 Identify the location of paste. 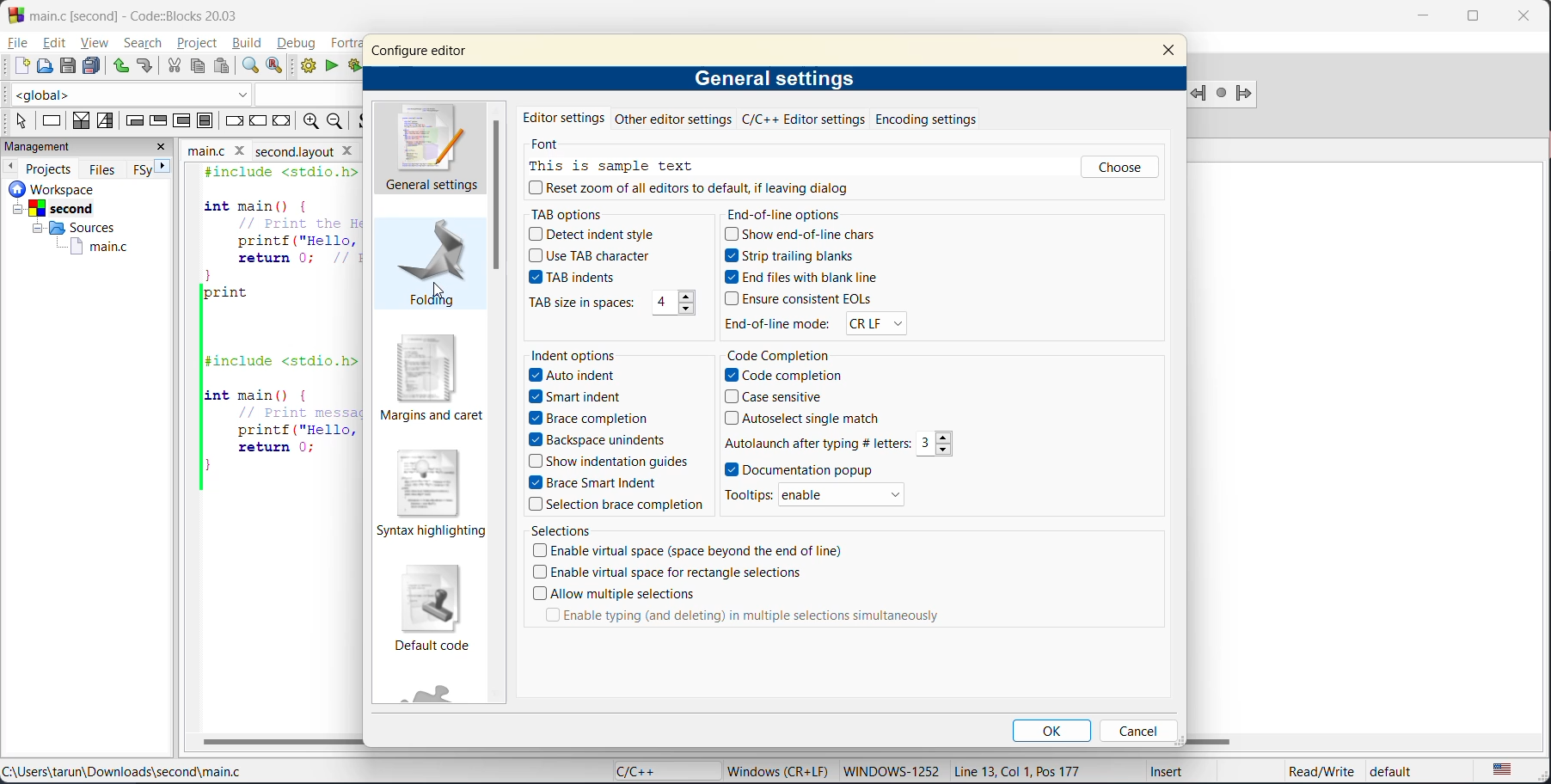
(221, 66).